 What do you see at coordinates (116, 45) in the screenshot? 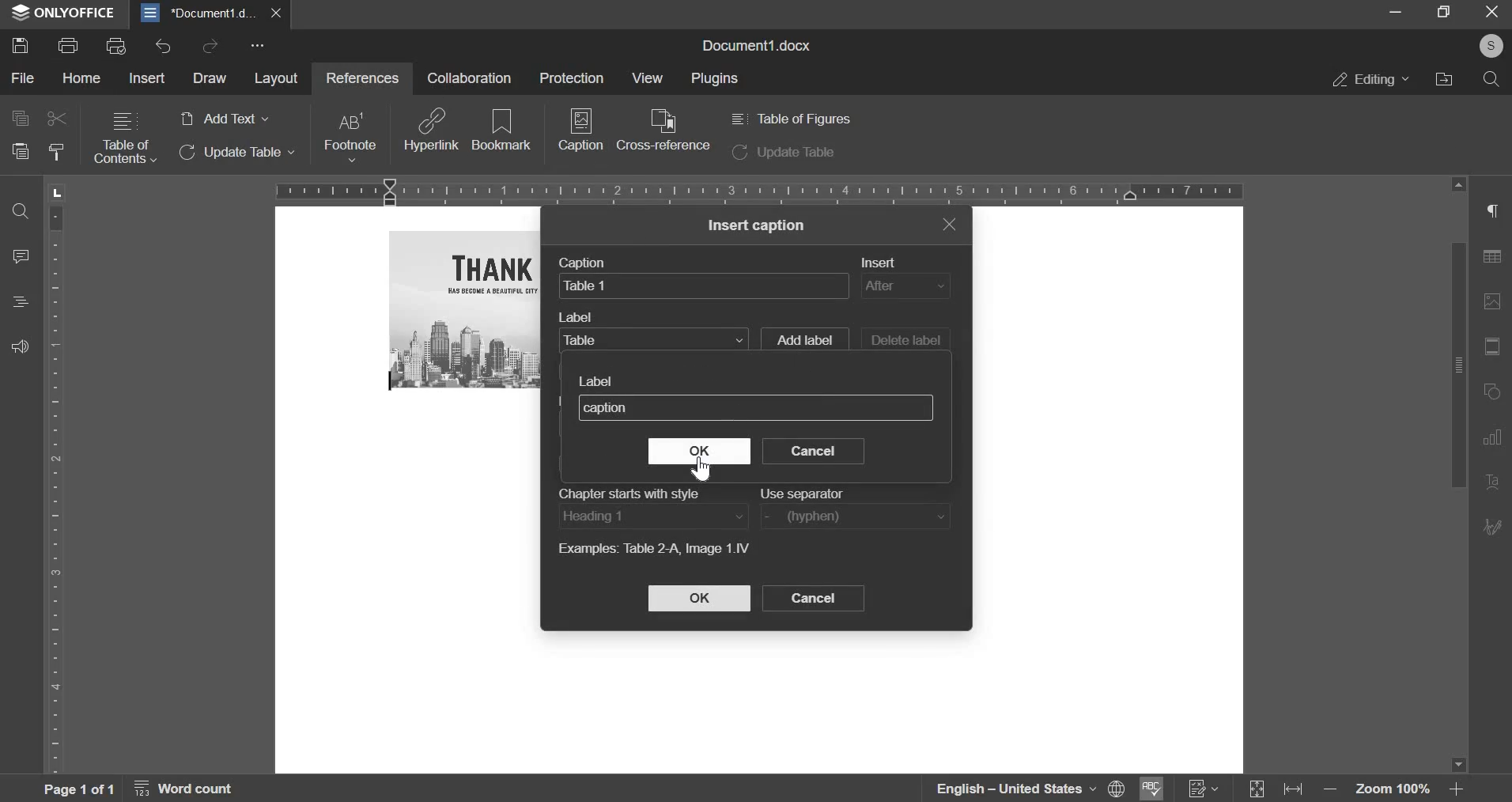
I see `print preview` at bounding box center [116, 45].